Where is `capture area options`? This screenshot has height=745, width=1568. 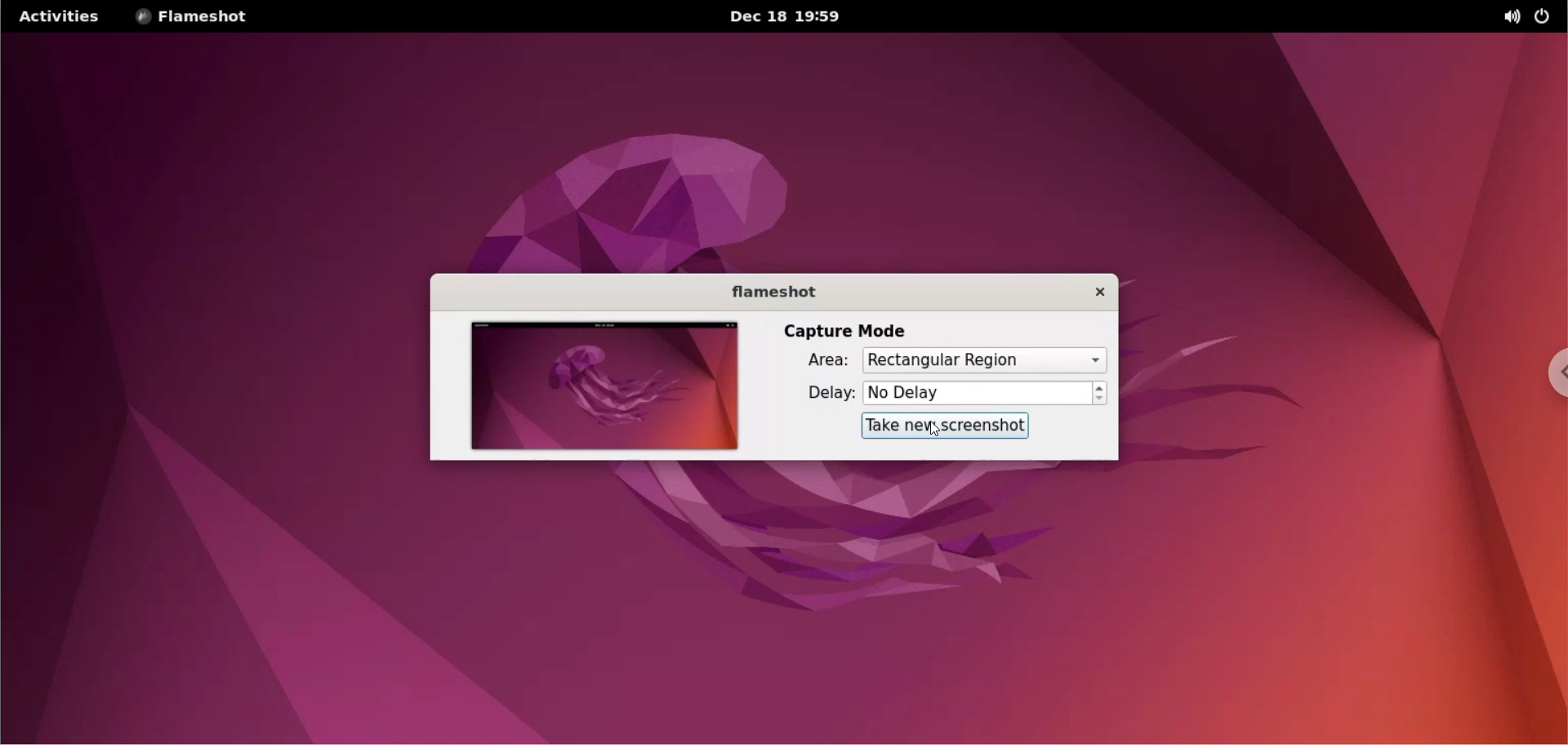 capture area options is located at coordinates (986, 360).